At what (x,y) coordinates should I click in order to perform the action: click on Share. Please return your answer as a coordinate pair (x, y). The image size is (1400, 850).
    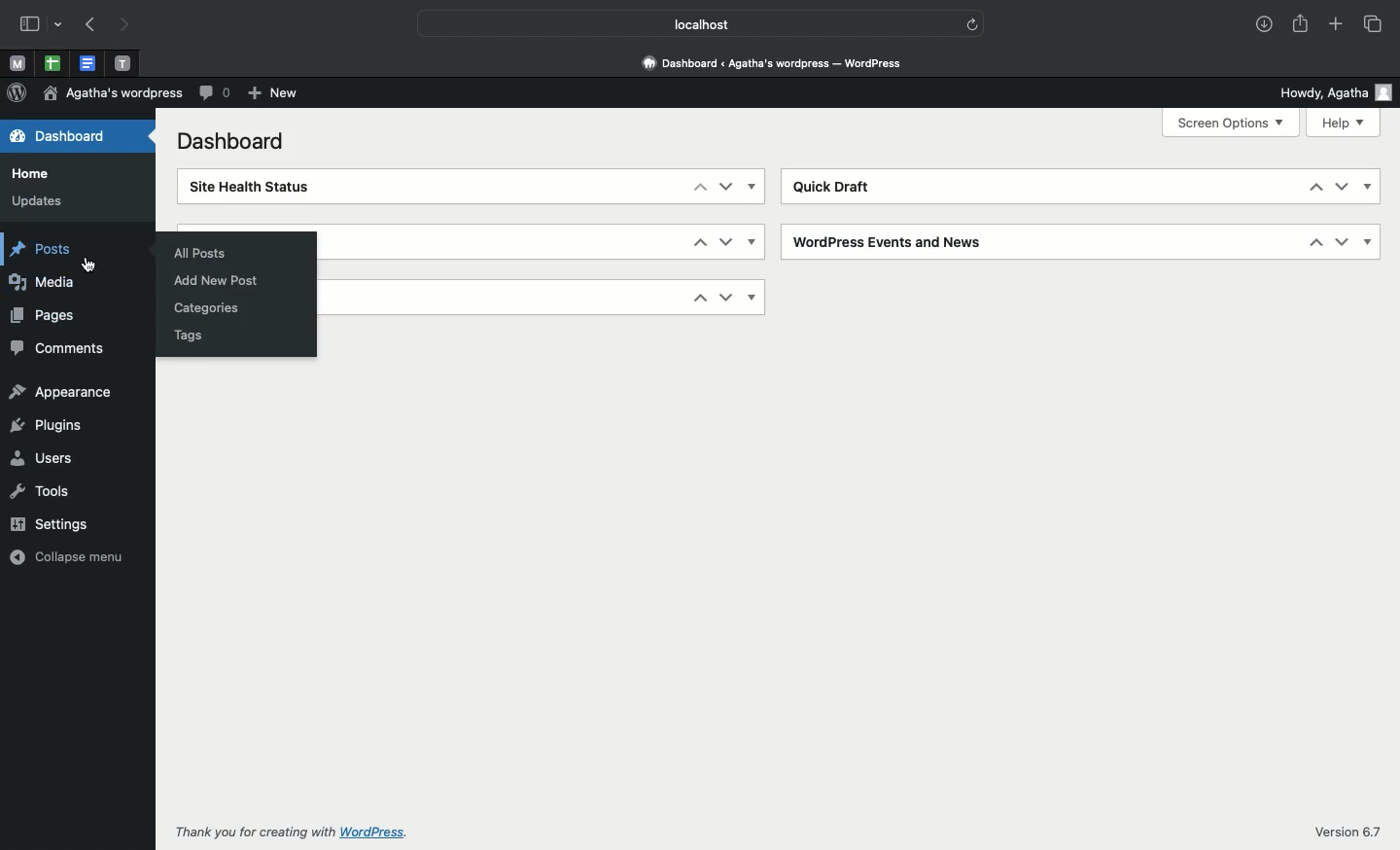
    Looking at the image, I should click on (1302, 25).